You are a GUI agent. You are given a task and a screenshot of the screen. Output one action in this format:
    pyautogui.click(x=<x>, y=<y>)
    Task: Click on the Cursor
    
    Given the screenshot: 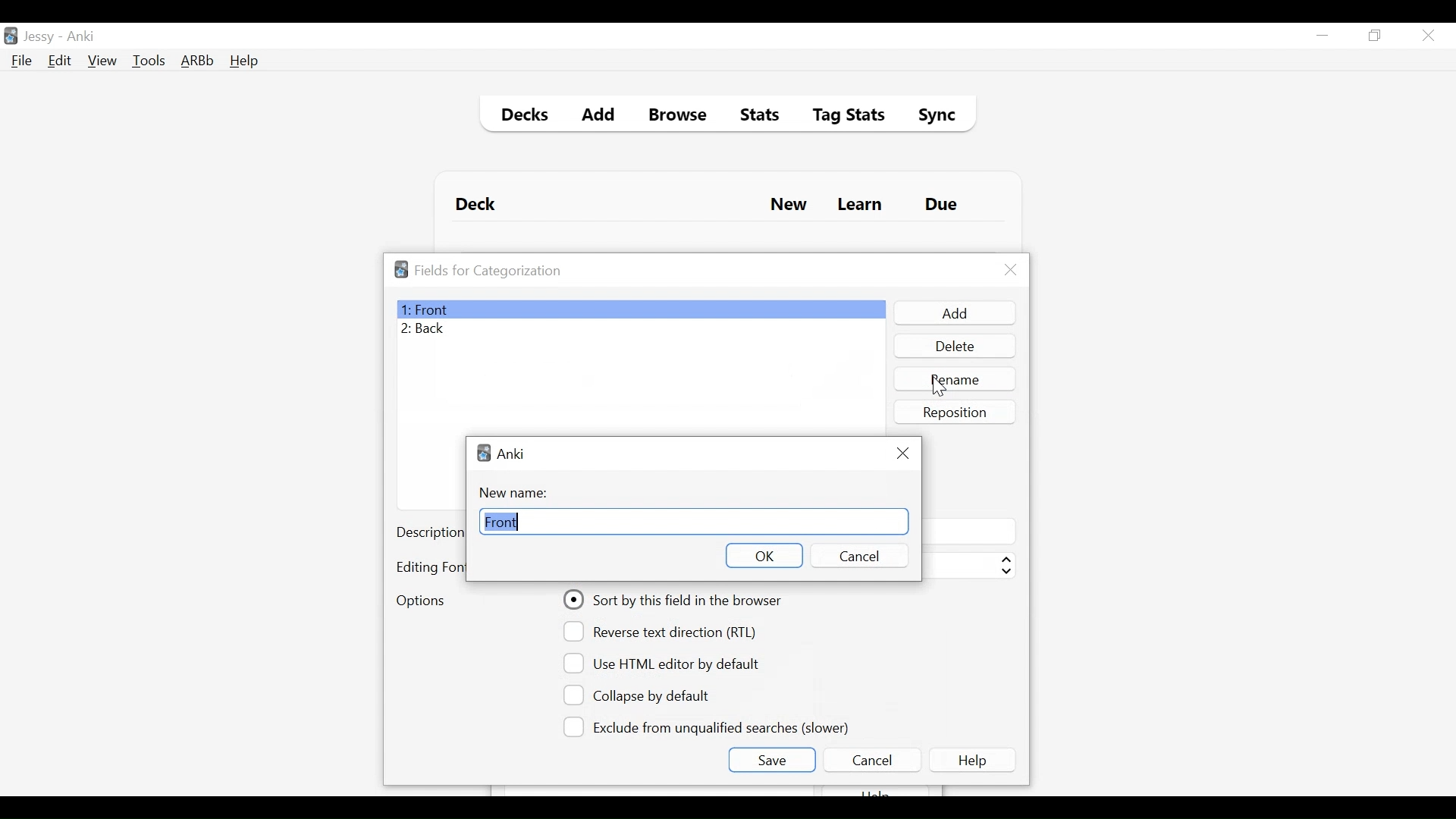 What is the action you would take?
    pyautogui.click(x=939, y=387)
    